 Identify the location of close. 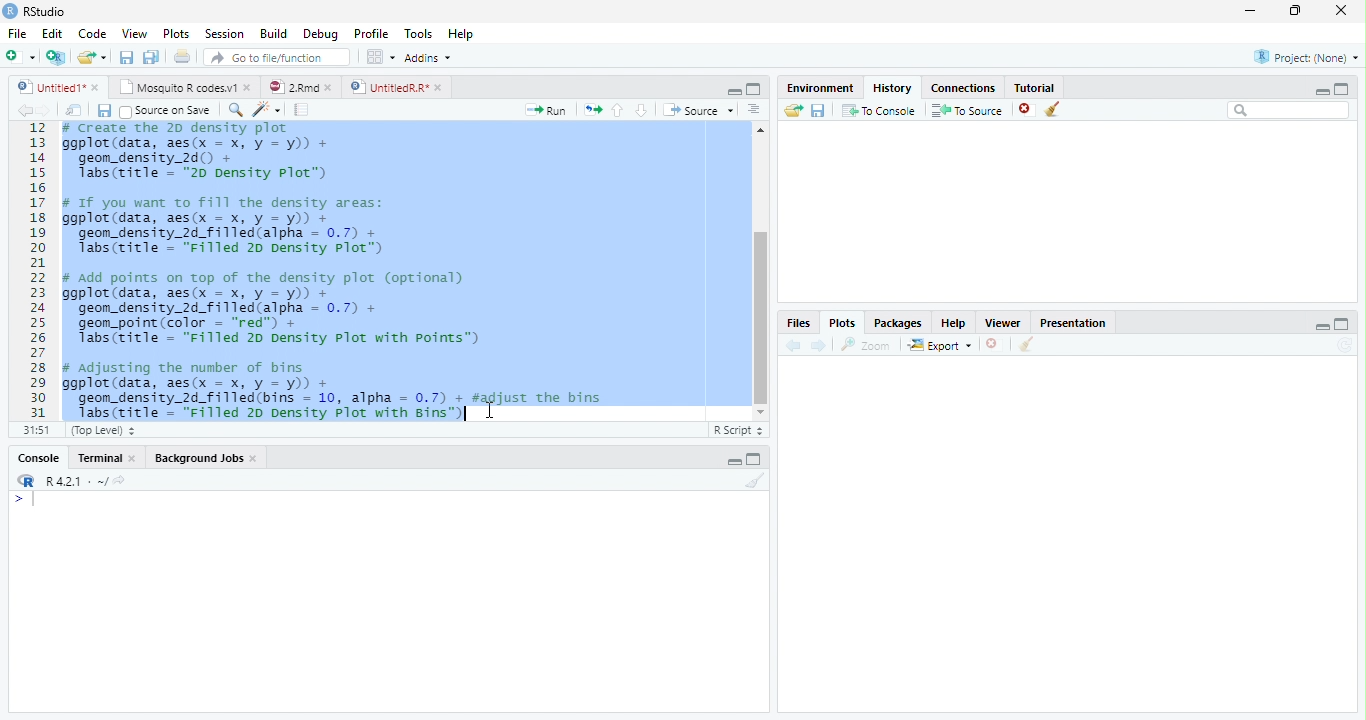
(97, 87).